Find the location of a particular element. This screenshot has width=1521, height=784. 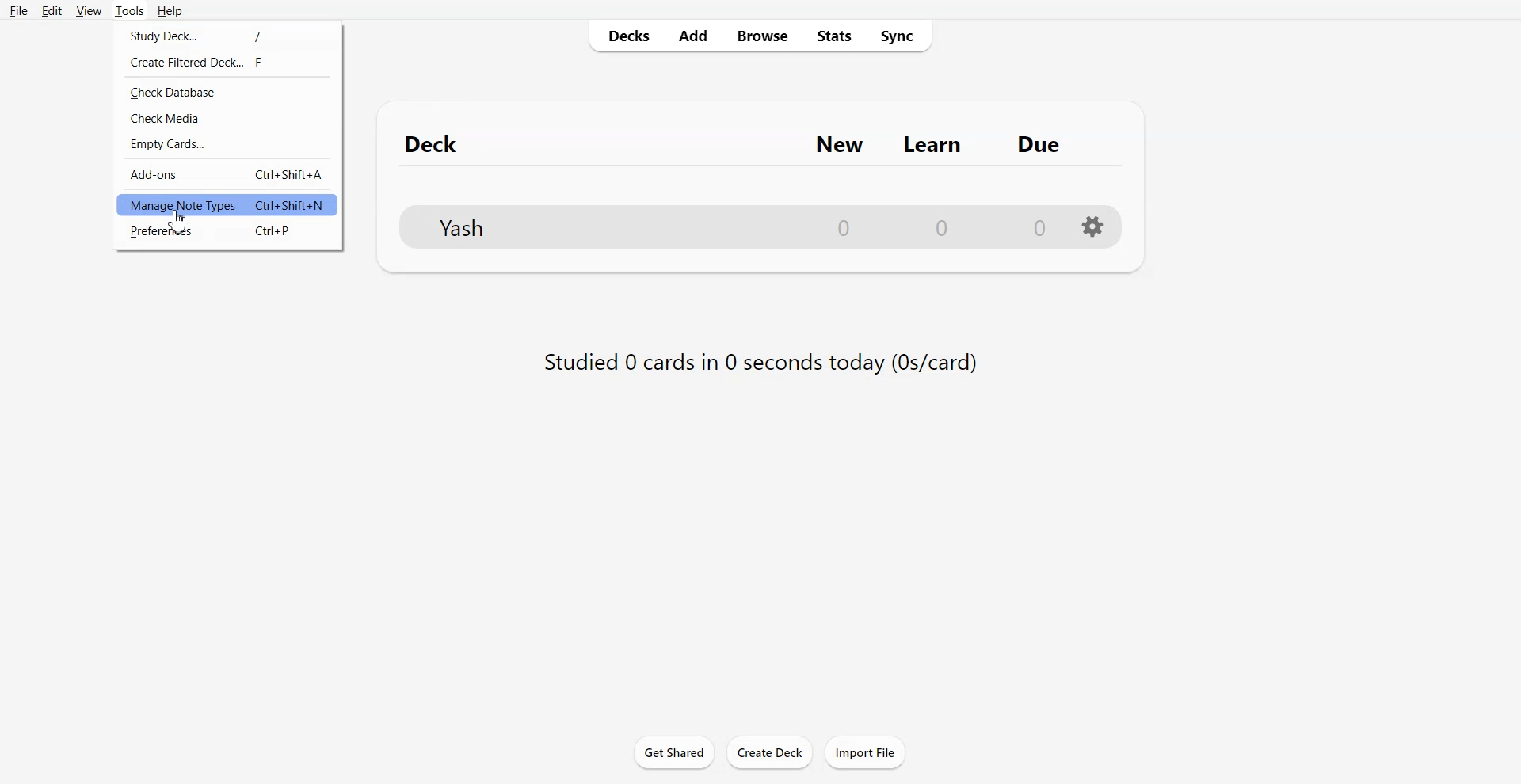

Check Database is located at coordinates (227, 92).